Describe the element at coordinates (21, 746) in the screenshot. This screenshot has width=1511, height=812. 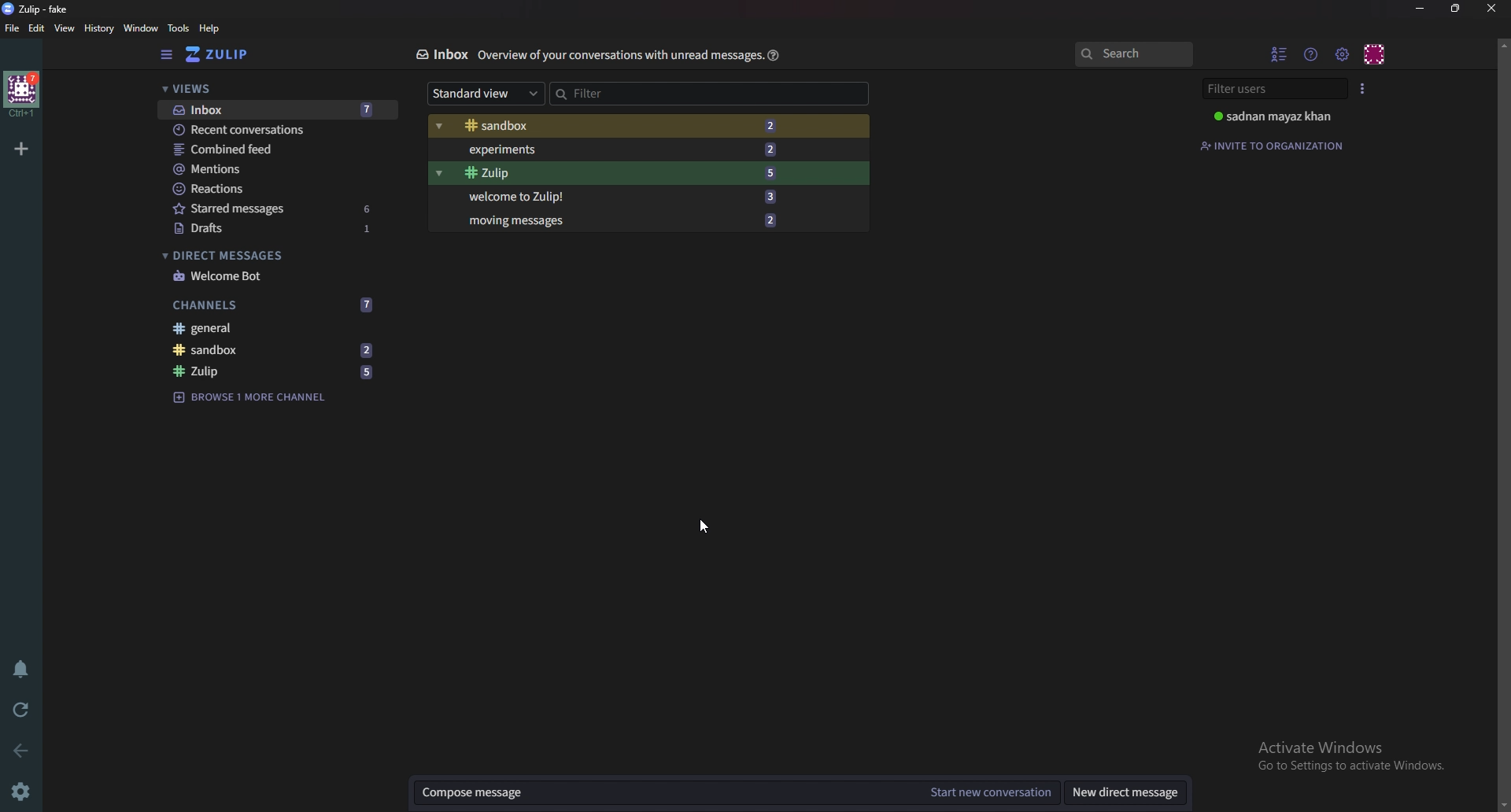
I see `back` at that location.